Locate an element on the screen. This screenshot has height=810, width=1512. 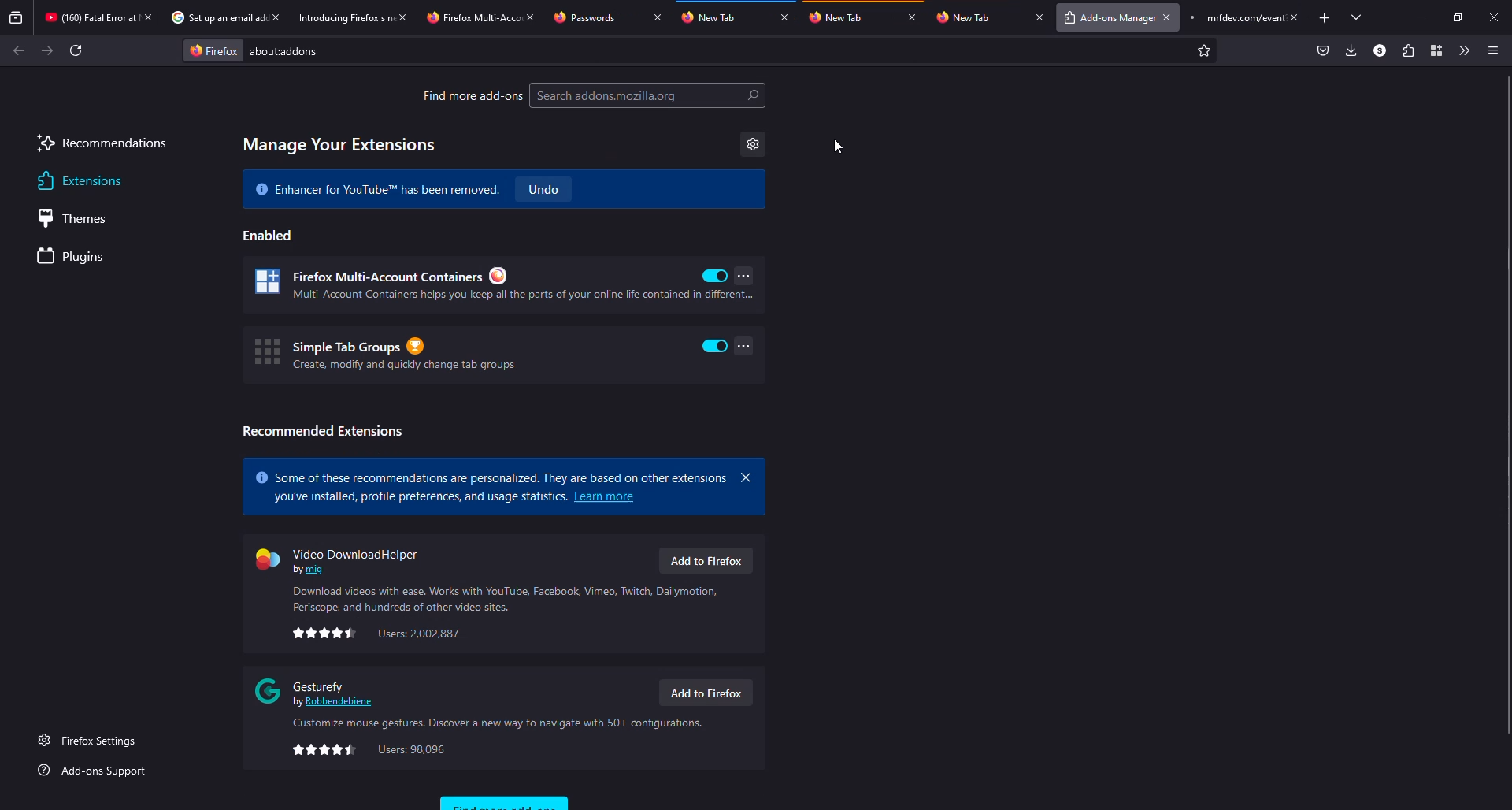
Close is located at coordinates (1167, 17).